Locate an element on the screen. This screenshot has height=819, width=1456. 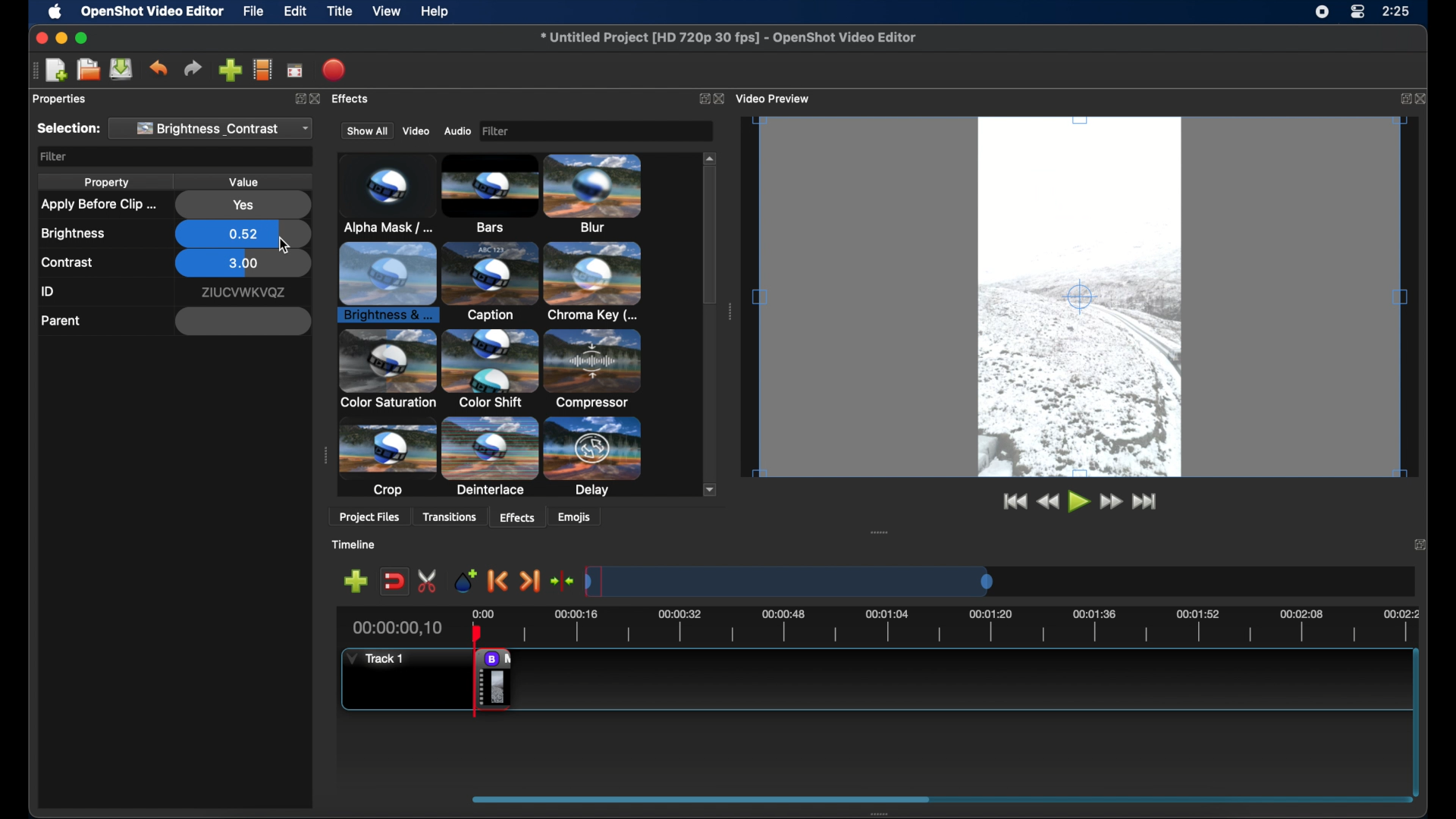
yes is located at coordinates (243, 206).